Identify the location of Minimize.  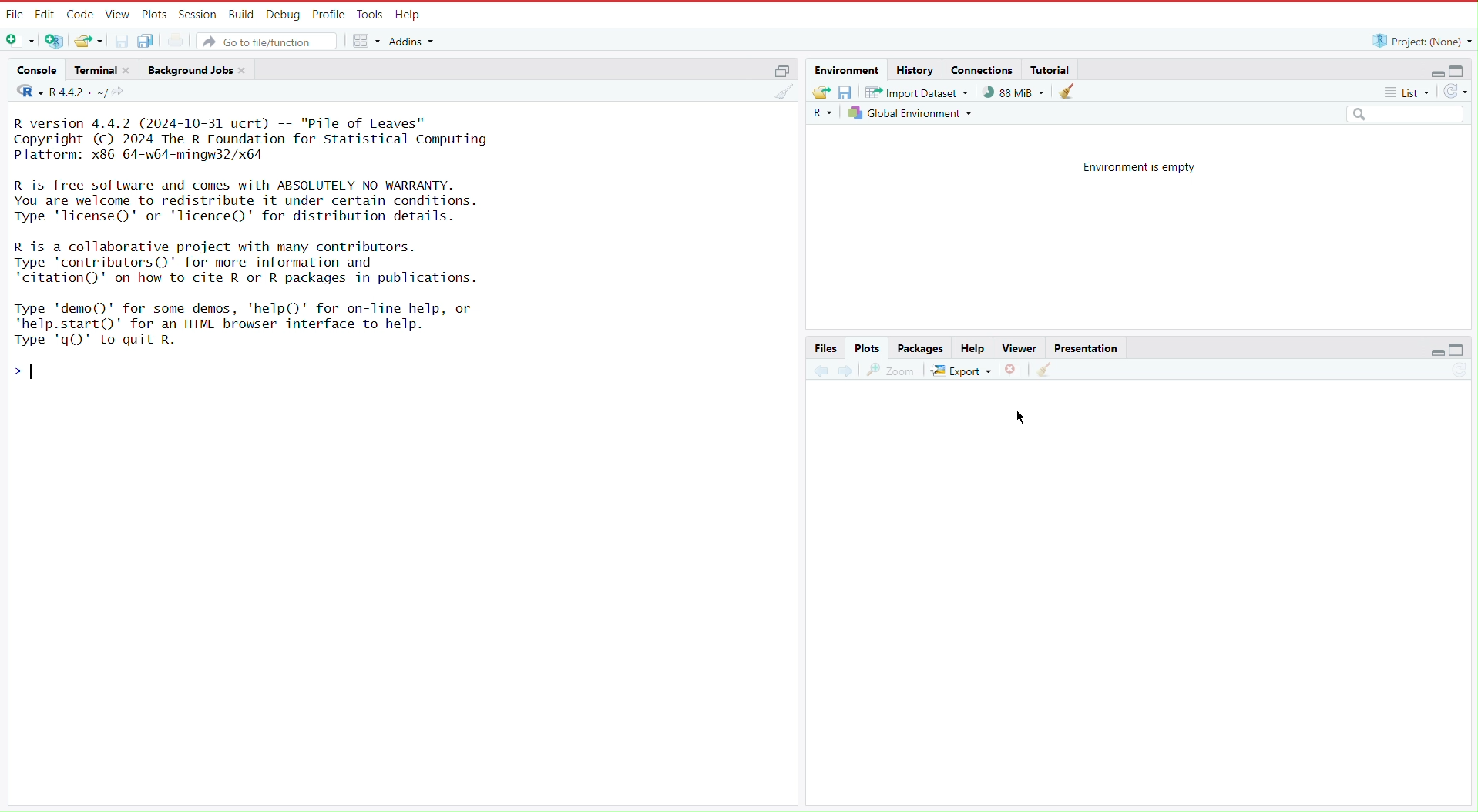
(1431, 73).